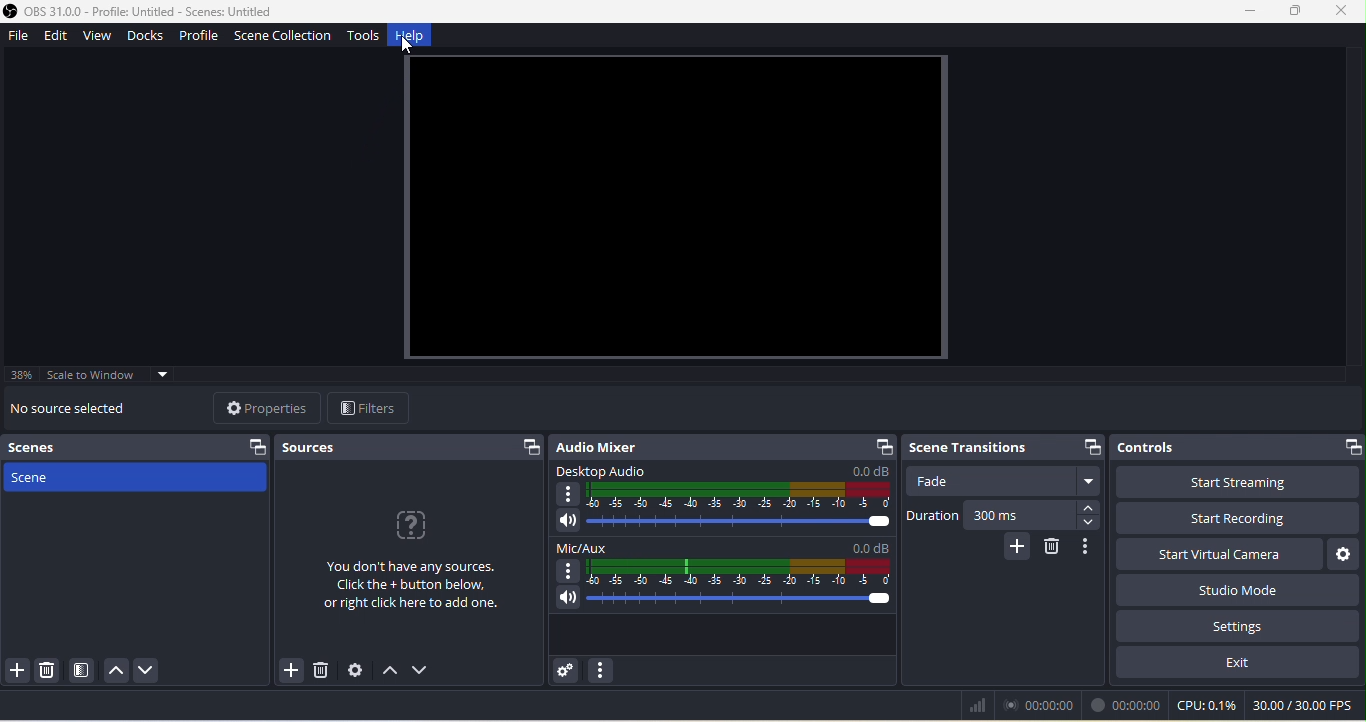 This screenshot has height=722, width=1366. What do you see at coordinates (1237, 520) in the screenshot?
I see `start recording` at bounding box center [1237, 520].